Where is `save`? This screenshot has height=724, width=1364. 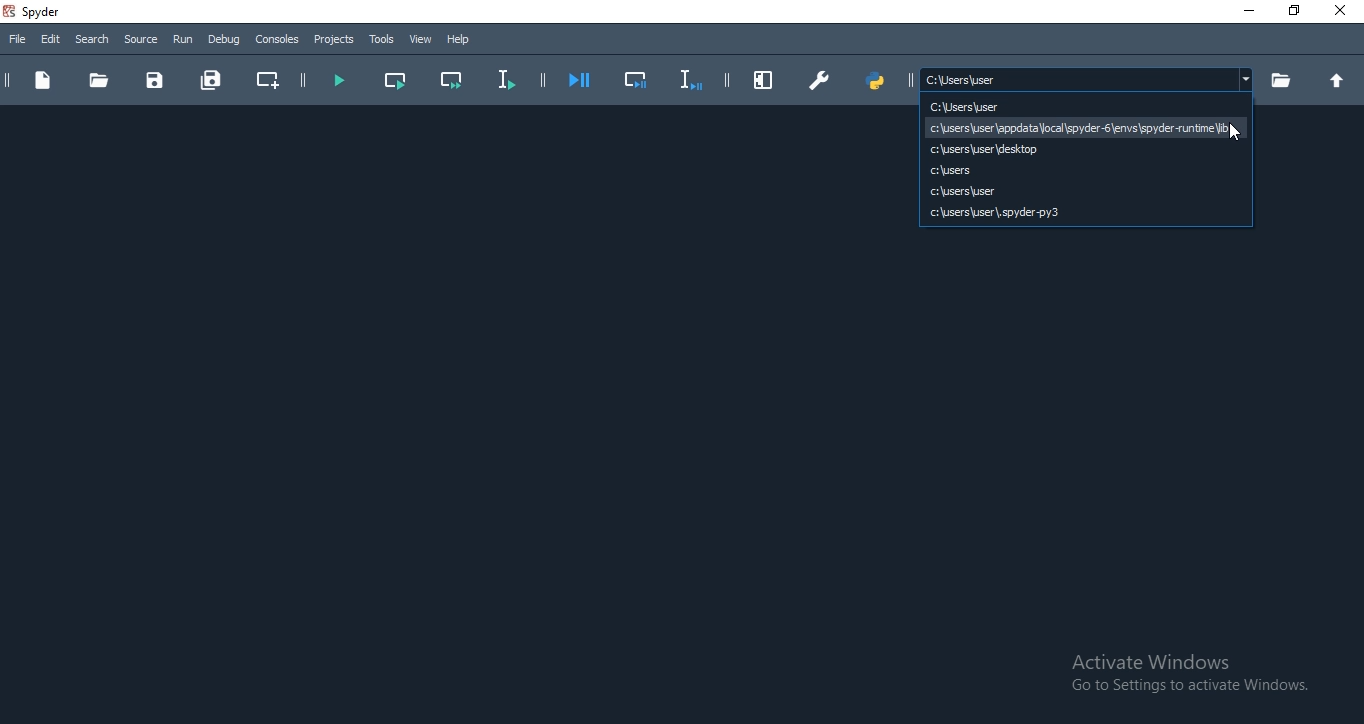 save is located at coordinates (156, 81).